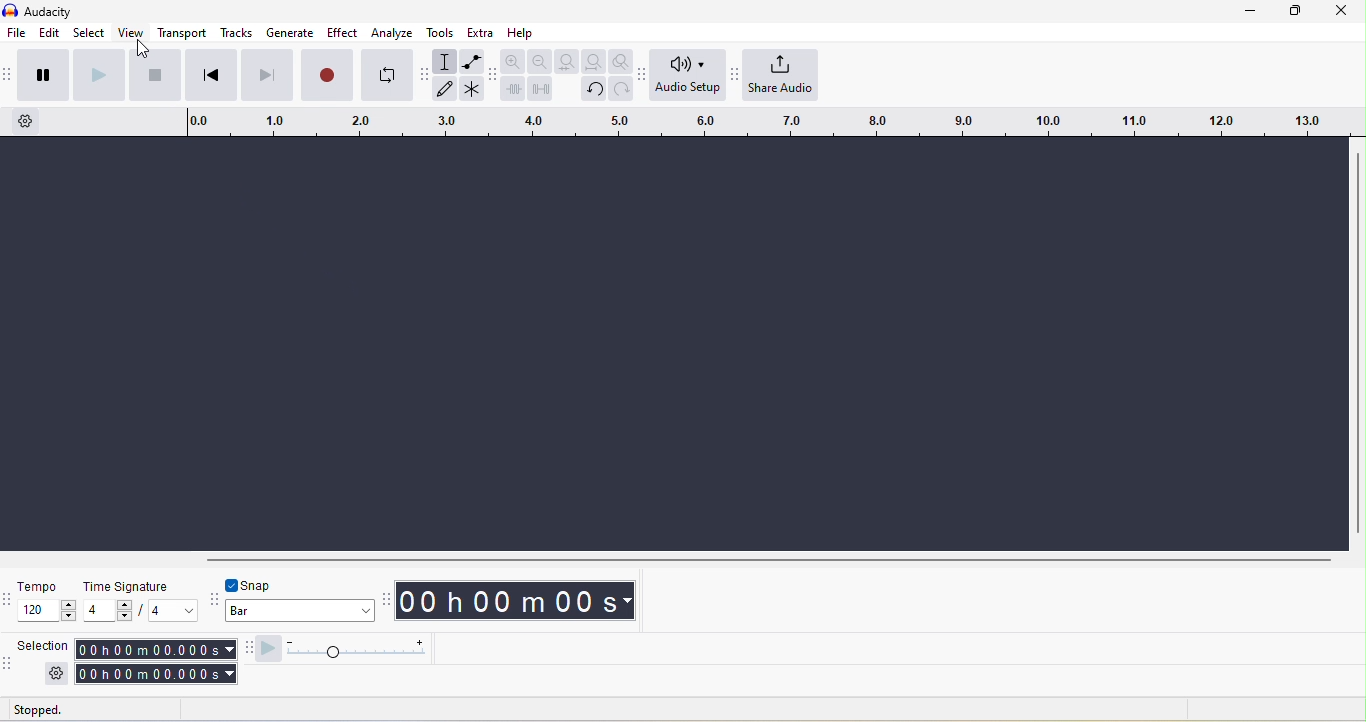 The height and width of the screenshot is (722, 1366). What do you see at coordinates (143, 49) in the screenshot?
I see `cursor` at bounding box center [143, 49].